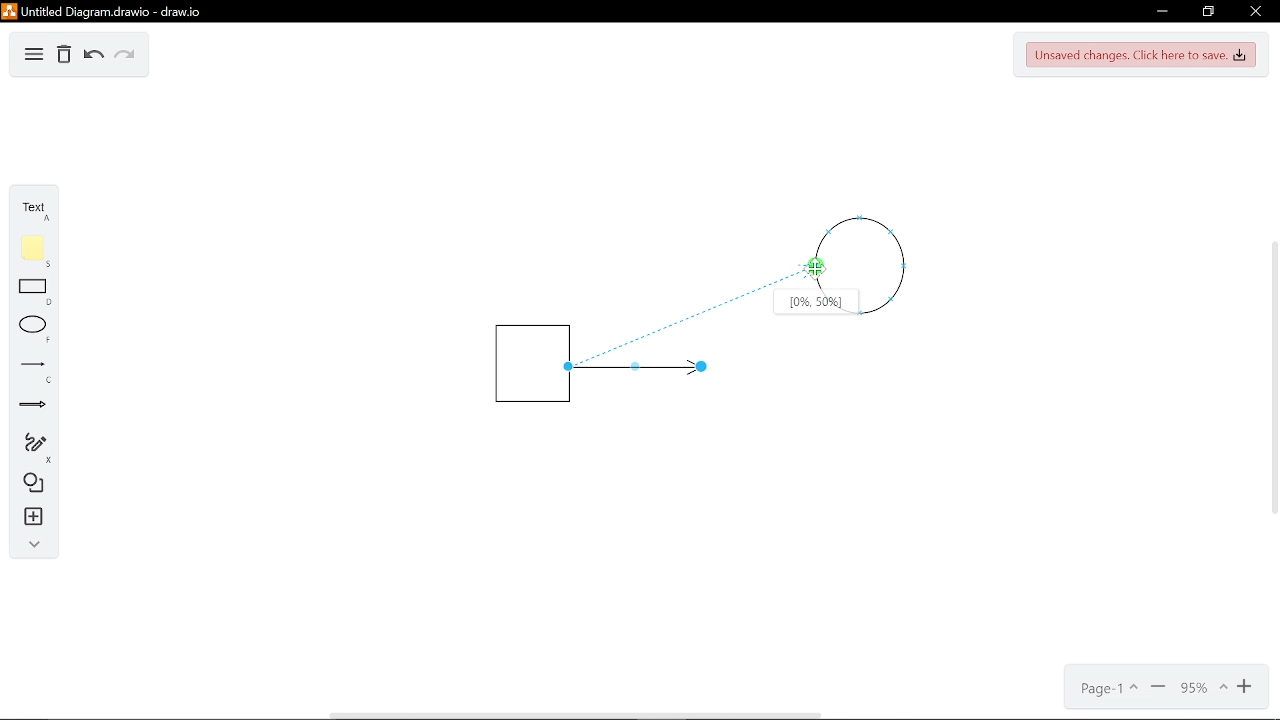  Describe the element at coordinates (26, 206) in the screenshot. I see `Text` at that location.